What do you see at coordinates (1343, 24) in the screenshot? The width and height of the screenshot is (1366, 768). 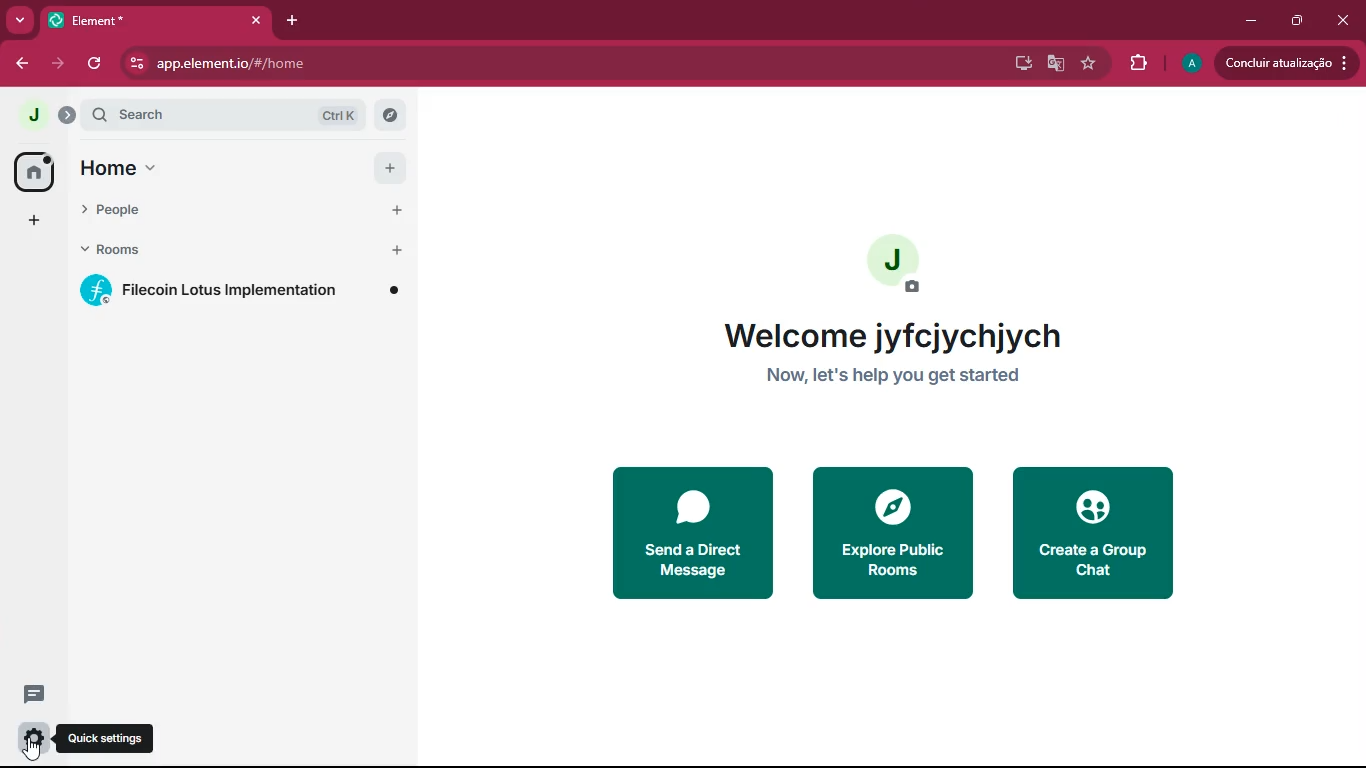 I see `close` at bounding box center [1343, 24].